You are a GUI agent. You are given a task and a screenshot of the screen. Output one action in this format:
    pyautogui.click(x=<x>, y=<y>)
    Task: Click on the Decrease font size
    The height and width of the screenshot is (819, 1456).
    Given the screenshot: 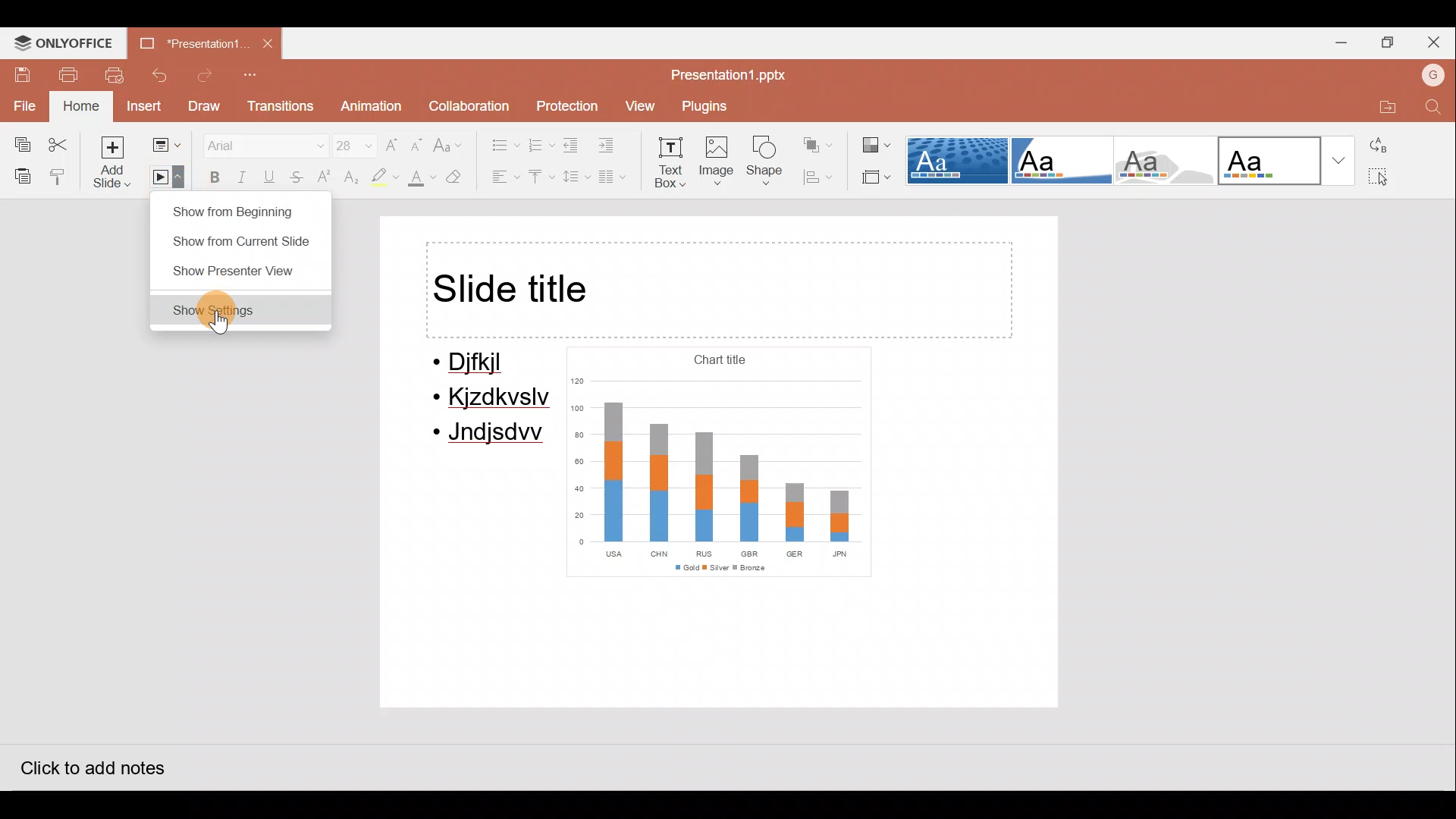 What is the action you would take?
    pyautogui.click(x=416, y=143)
    